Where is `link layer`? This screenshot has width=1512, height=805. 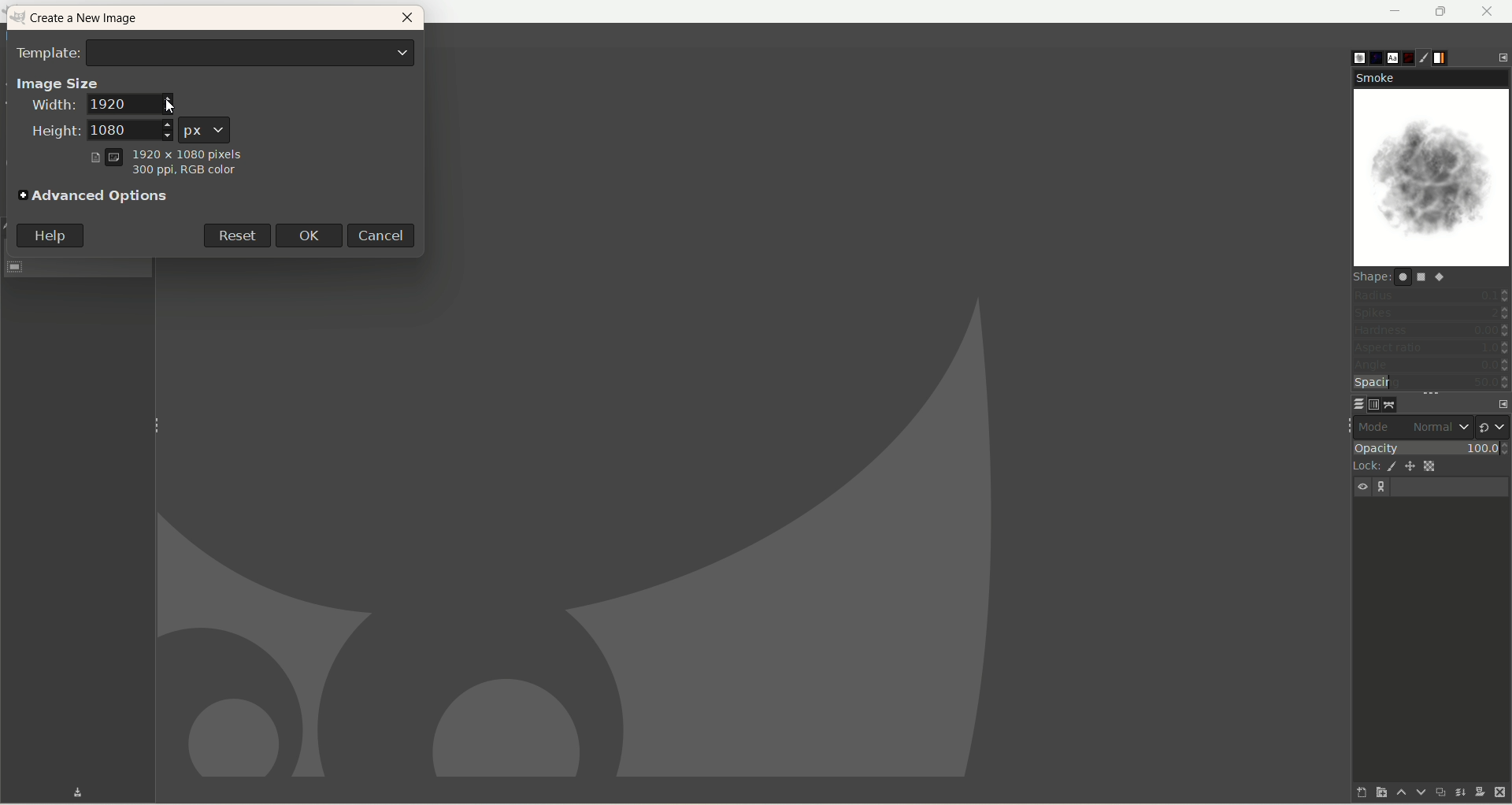
link layer is located at coordinates (1383, 488).